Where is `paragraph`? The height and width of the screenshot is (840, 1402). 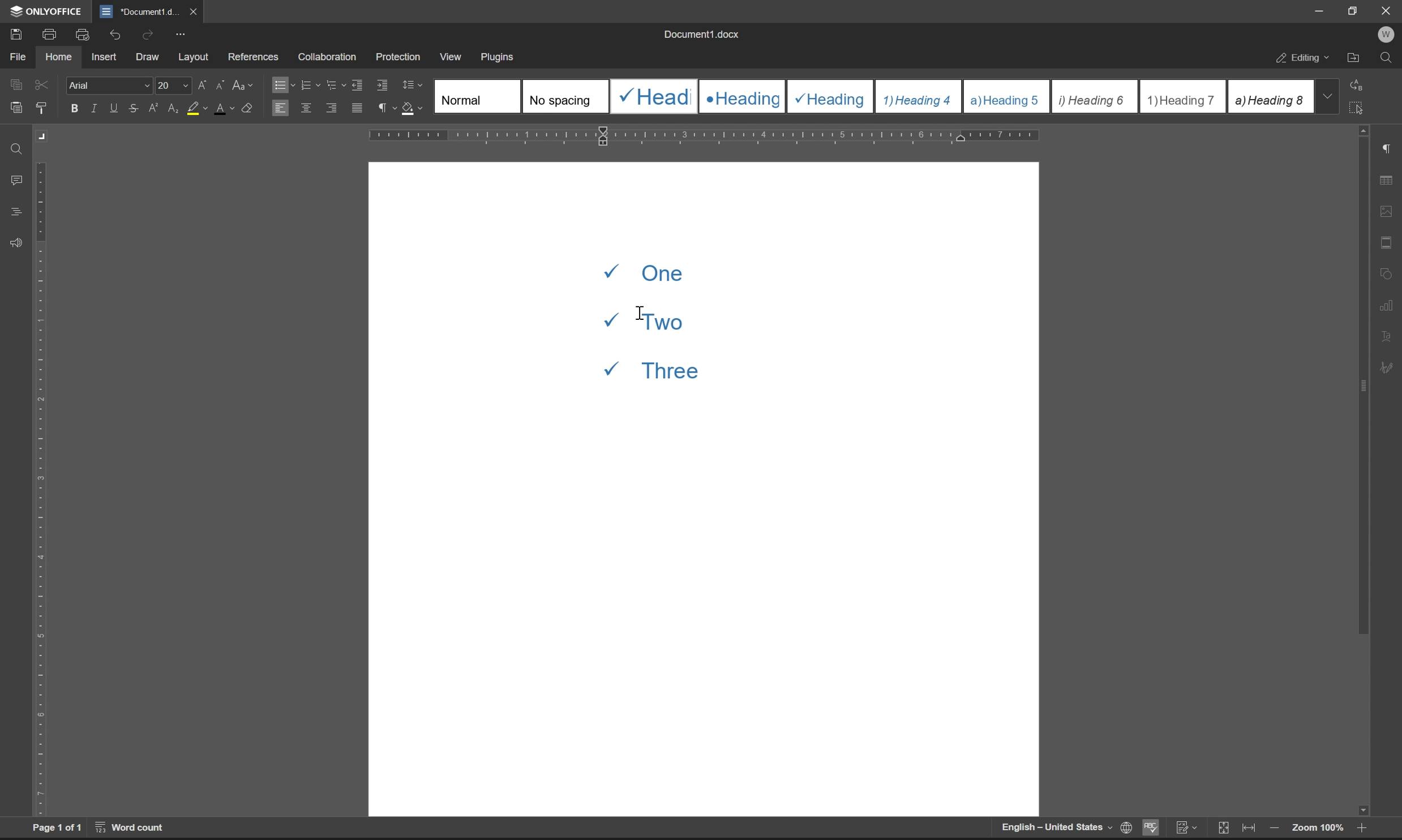 paragraph is located at coordinates (385, 108).